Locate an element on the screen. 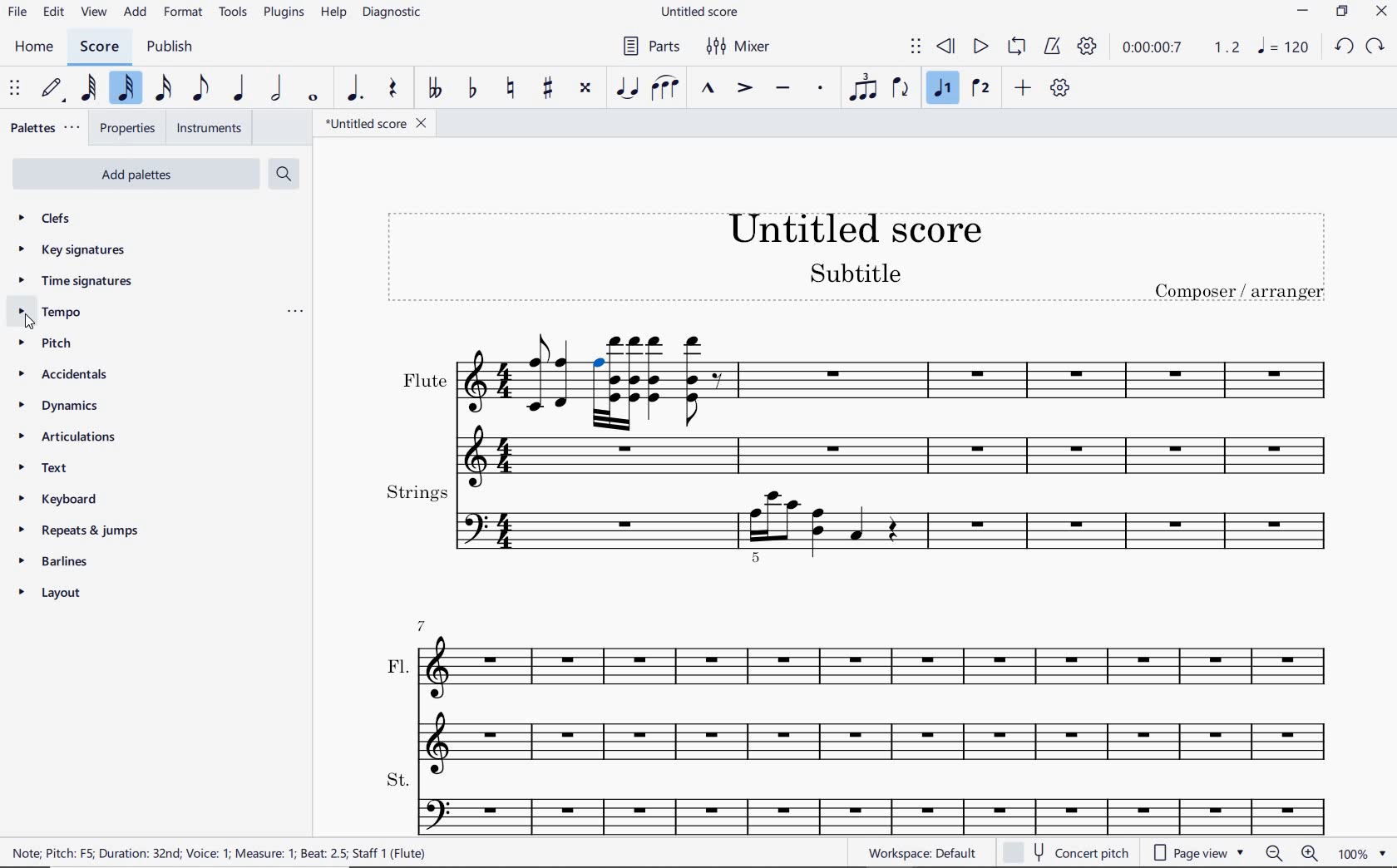 Image resolution: width=1397 pixels, height=868 pixels. view is located at coordinates (95, 13).